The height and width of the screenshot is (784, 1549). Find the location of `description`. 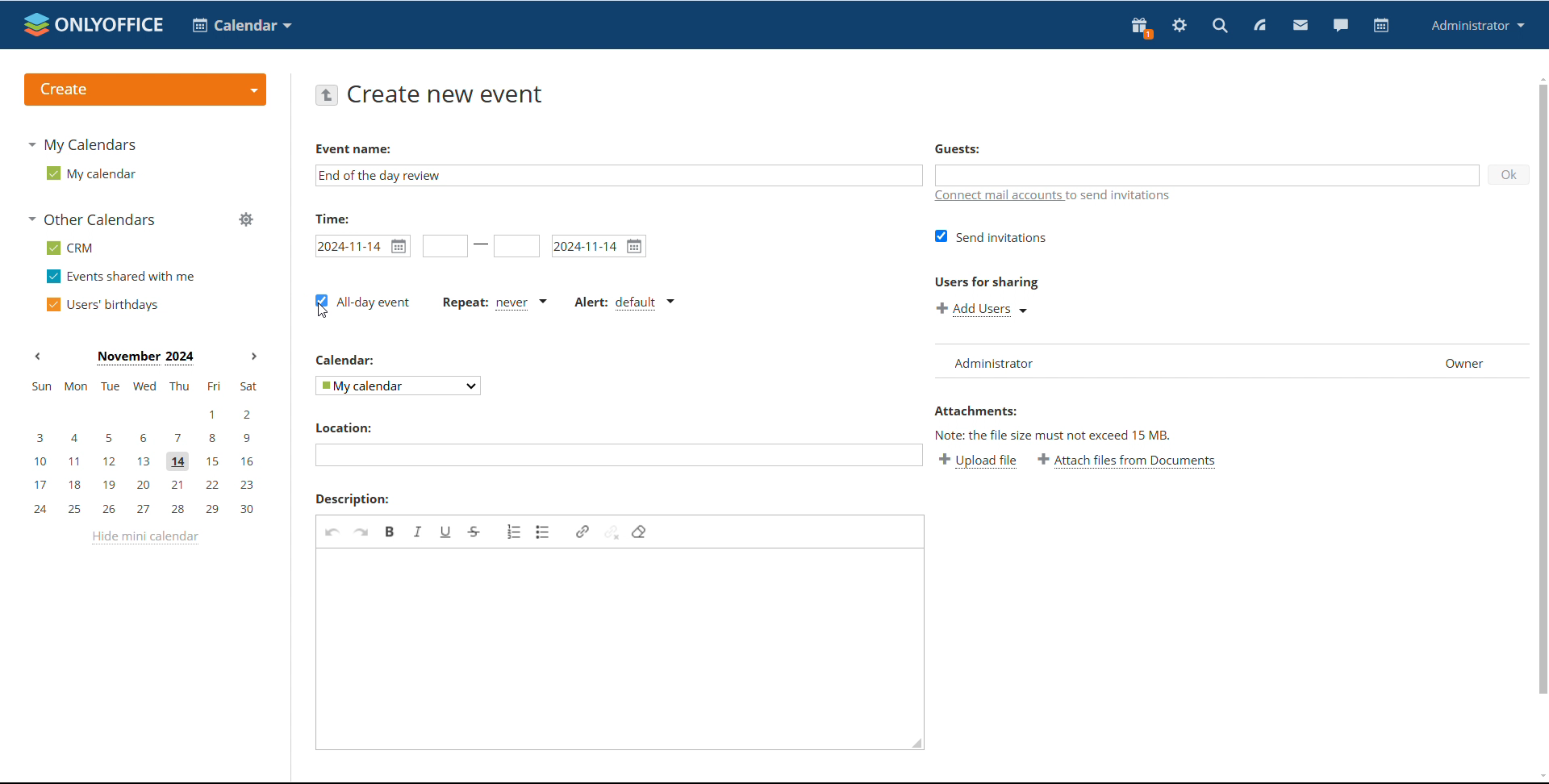

description is located at coordinates (353, 499).